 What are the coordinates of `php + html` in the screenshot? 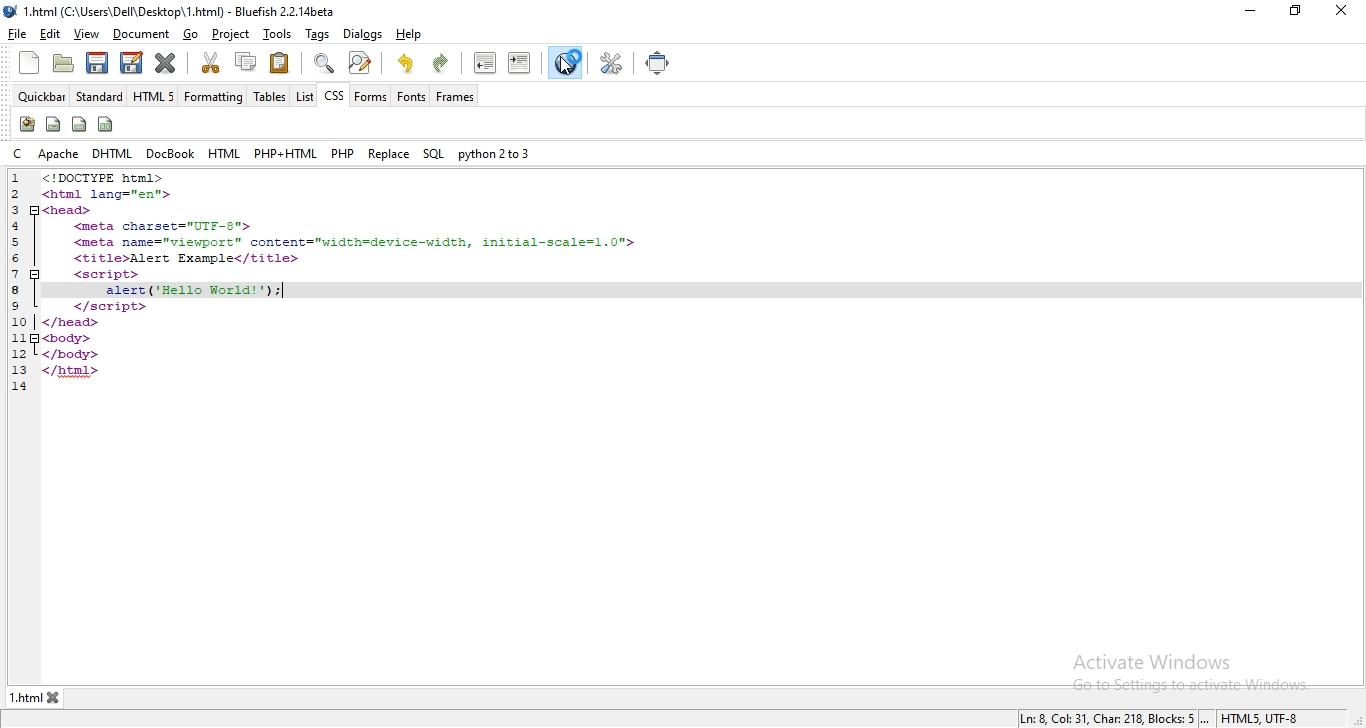 It's located at (284, 153).